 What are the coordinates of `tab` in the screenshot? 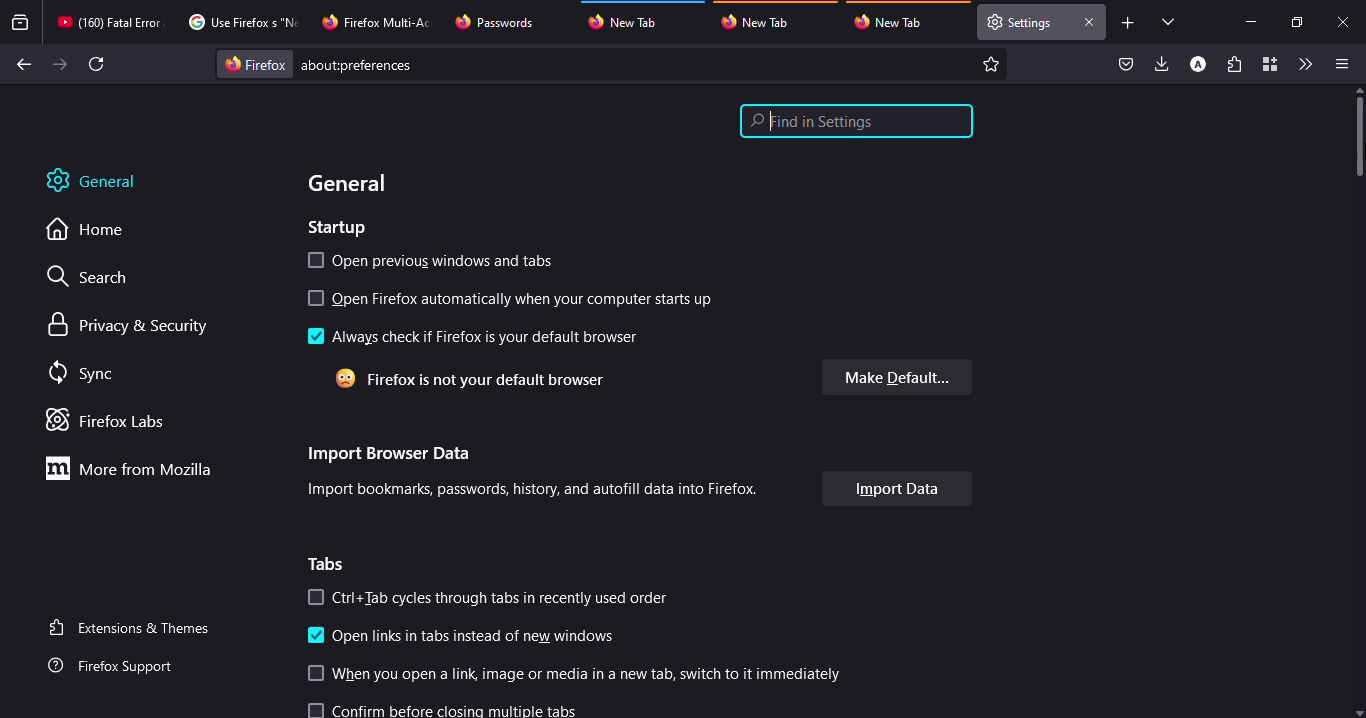 It's located at (632, 19).